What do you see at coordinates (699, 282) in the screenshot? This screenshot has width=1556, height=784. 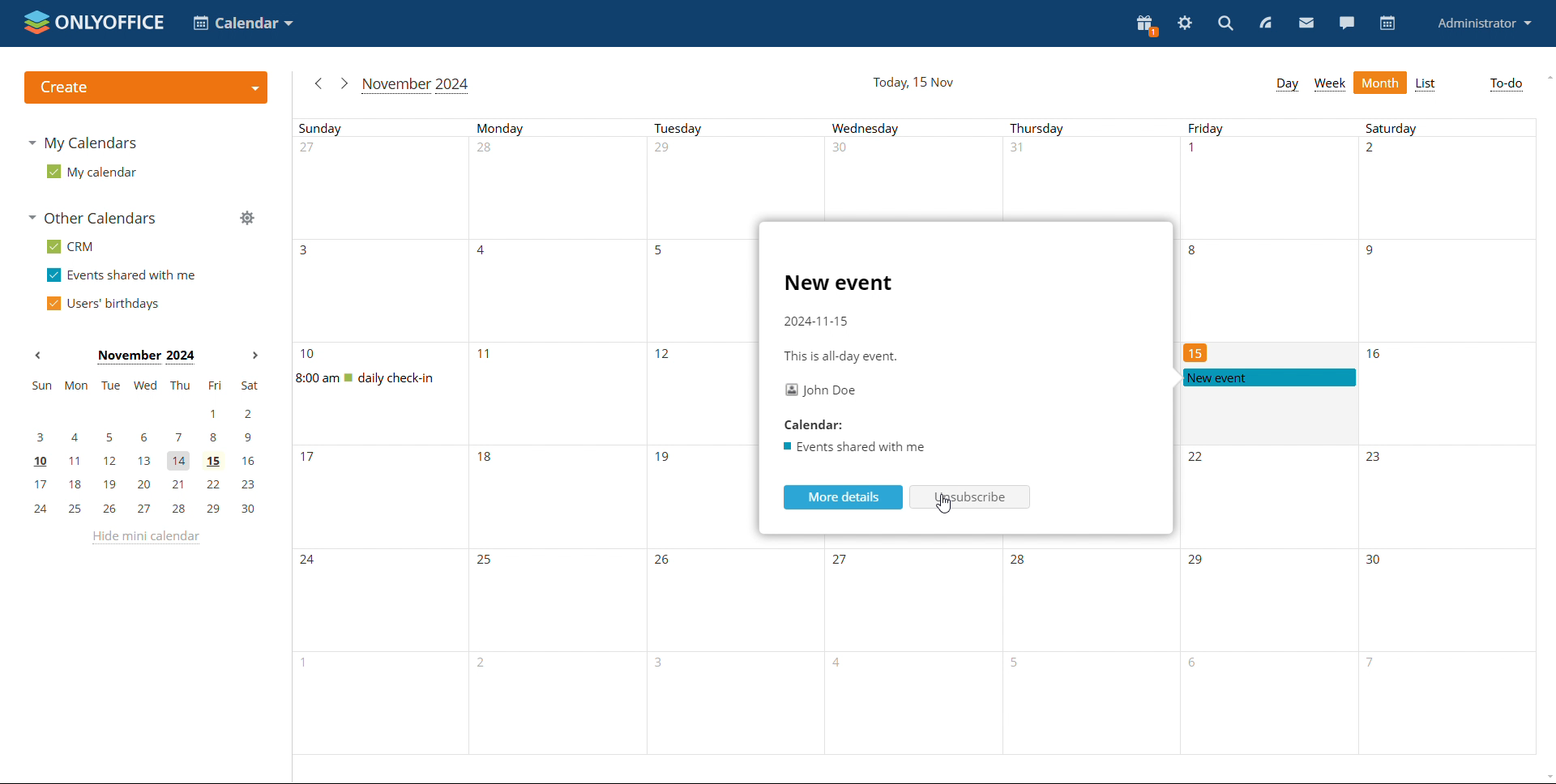 I see `cell for individual day` at bounding box center [699, 282].